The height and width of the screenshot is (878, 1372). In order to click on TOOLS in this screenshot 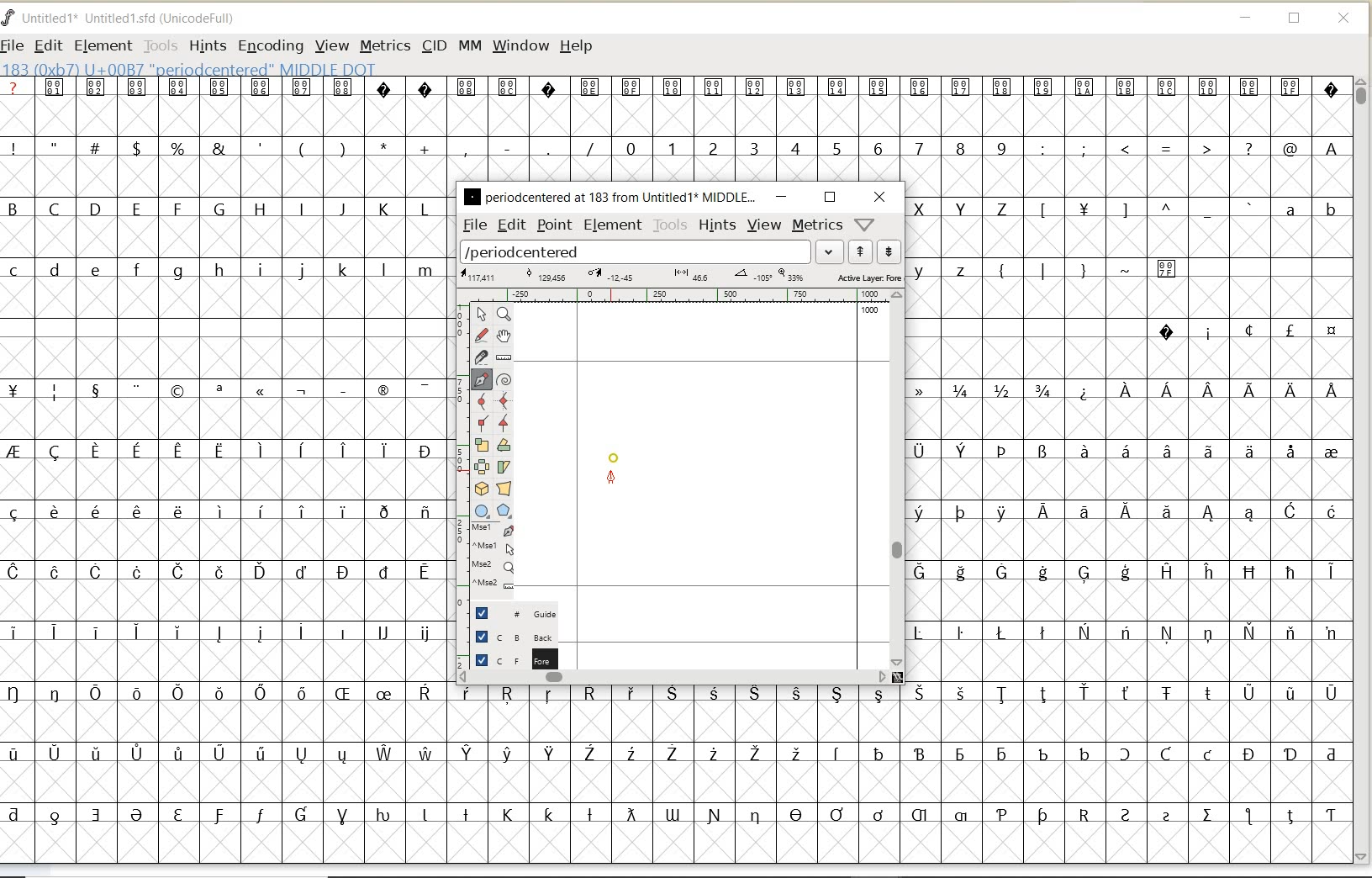, I will do `click(161, 45)`.